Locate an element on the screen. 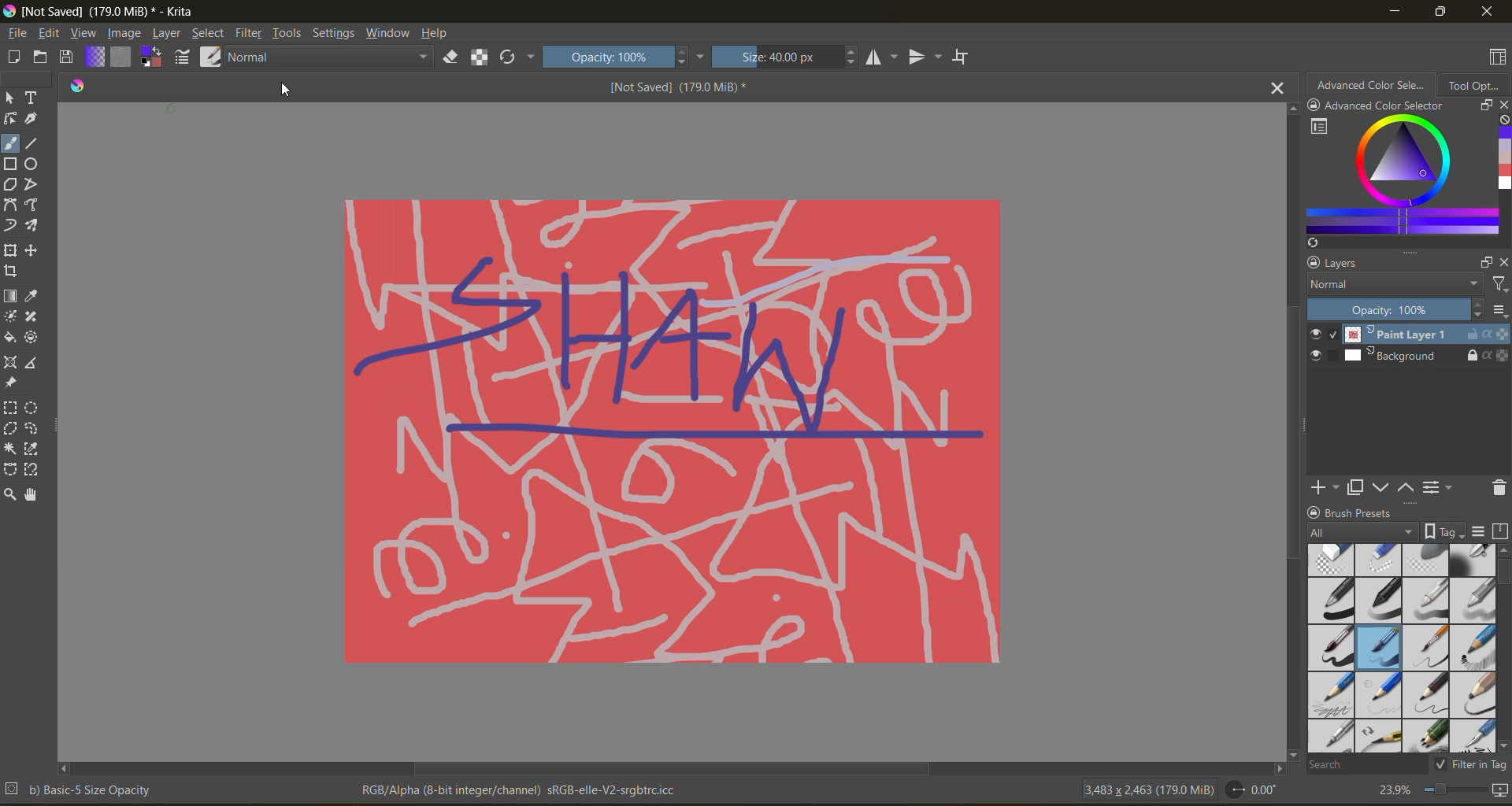 Image resolution: width=1512 pixels, height=806 pixels. filter in tag is located at coordinates (1473, 765).